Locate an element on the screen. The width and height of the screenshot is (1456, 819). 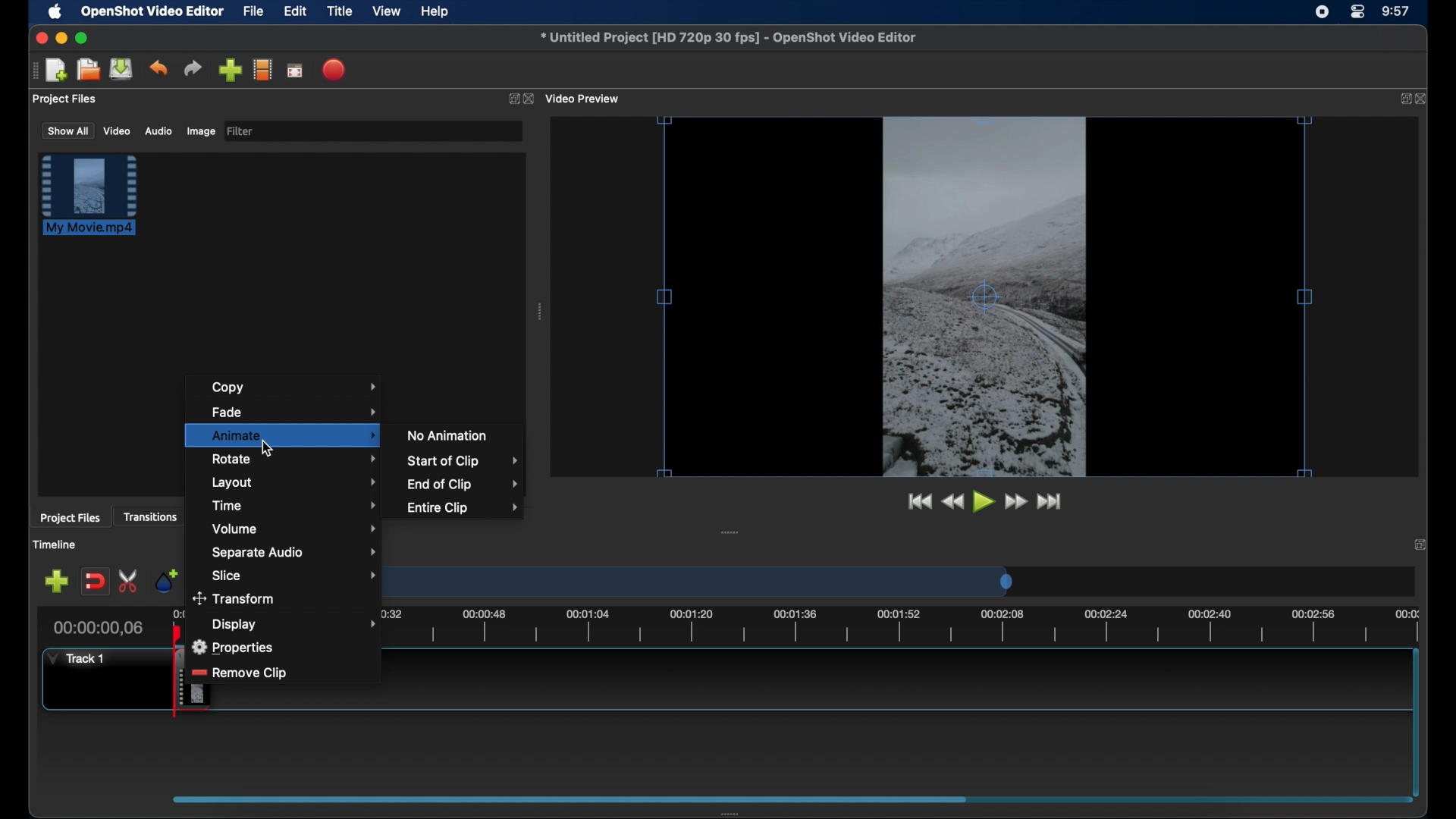
show all is located at coordinates (67, 130).